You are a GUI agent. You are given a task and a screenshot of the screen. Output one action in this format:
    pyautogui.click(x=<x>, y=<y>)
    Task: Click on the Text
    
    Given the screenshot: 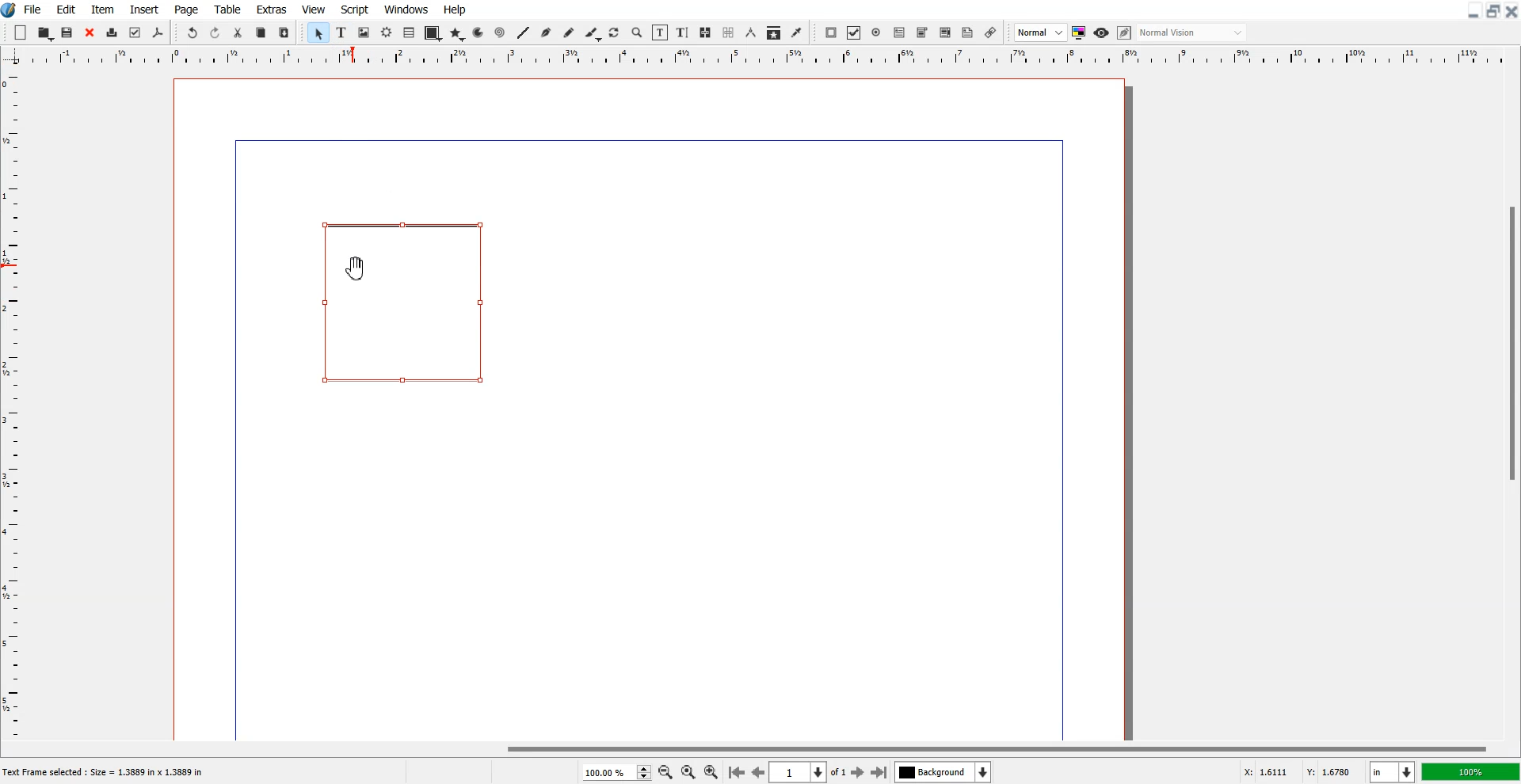 What is the action you would take?
    pyautogui.click(x=109, y=773)
    